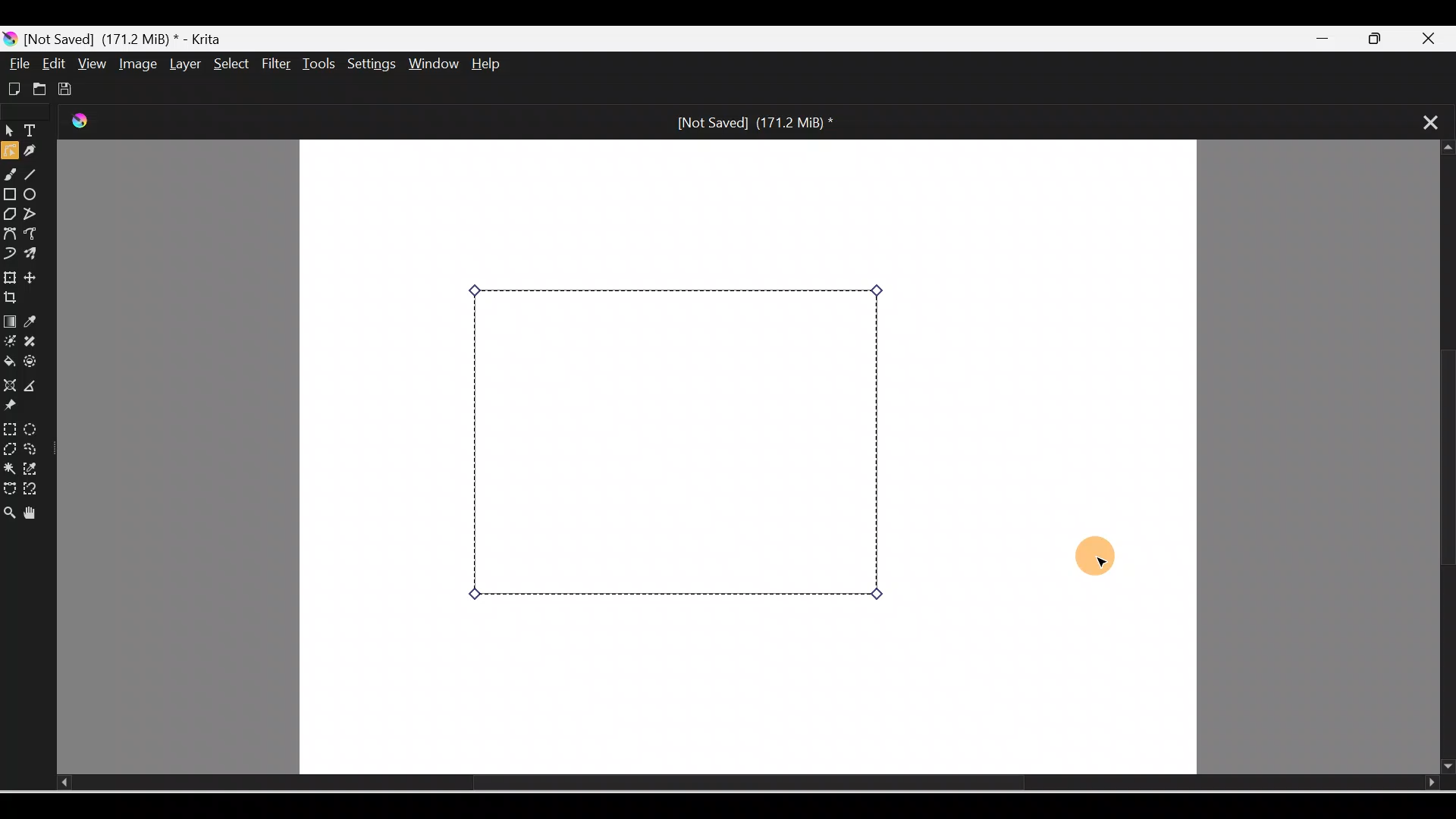  I want to click on Measure the distance between two points, so click(36, 387).